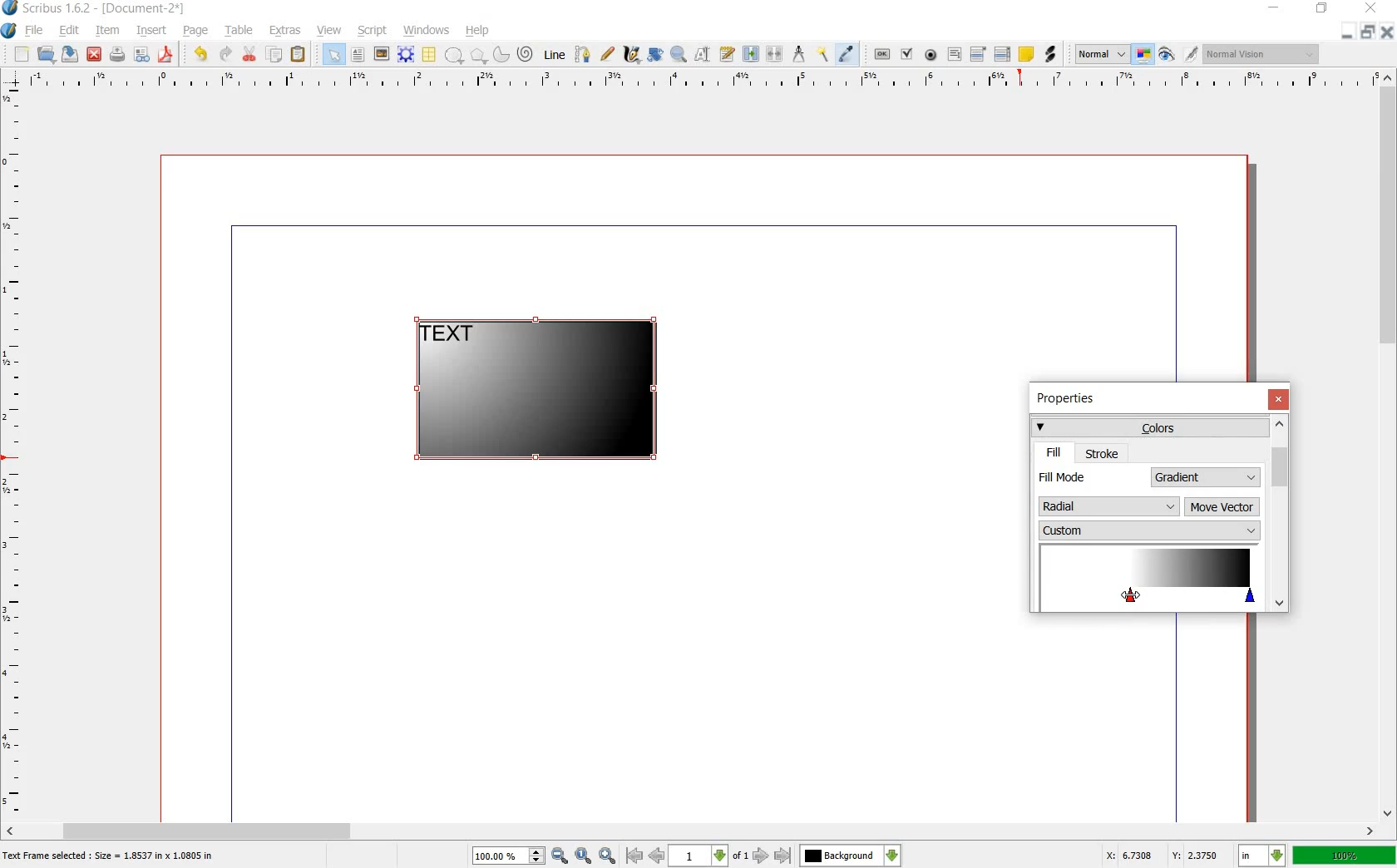 The image size is (1397, 868). What do you see at coordinates (851, 856) in the screenshot?
I see `Background` at bounding box center [851, 856].